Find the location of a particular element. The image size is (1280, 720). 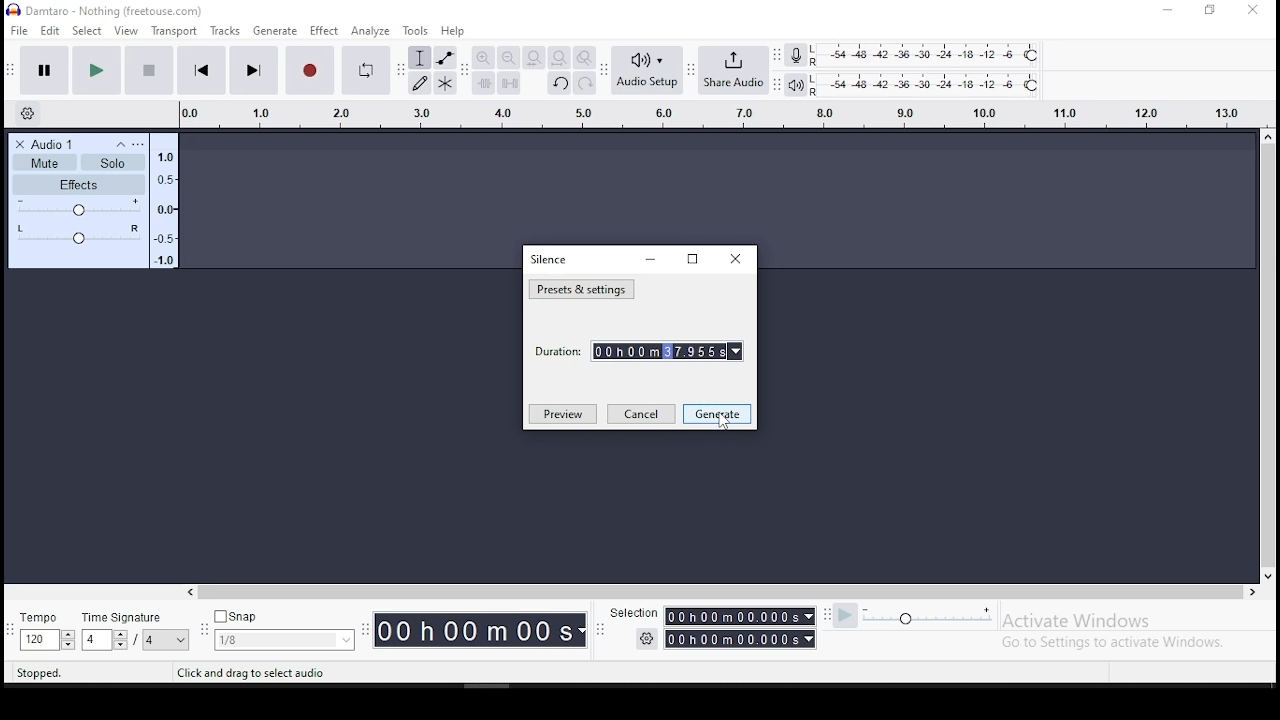

skip to end is located at coordinates (254, 70).